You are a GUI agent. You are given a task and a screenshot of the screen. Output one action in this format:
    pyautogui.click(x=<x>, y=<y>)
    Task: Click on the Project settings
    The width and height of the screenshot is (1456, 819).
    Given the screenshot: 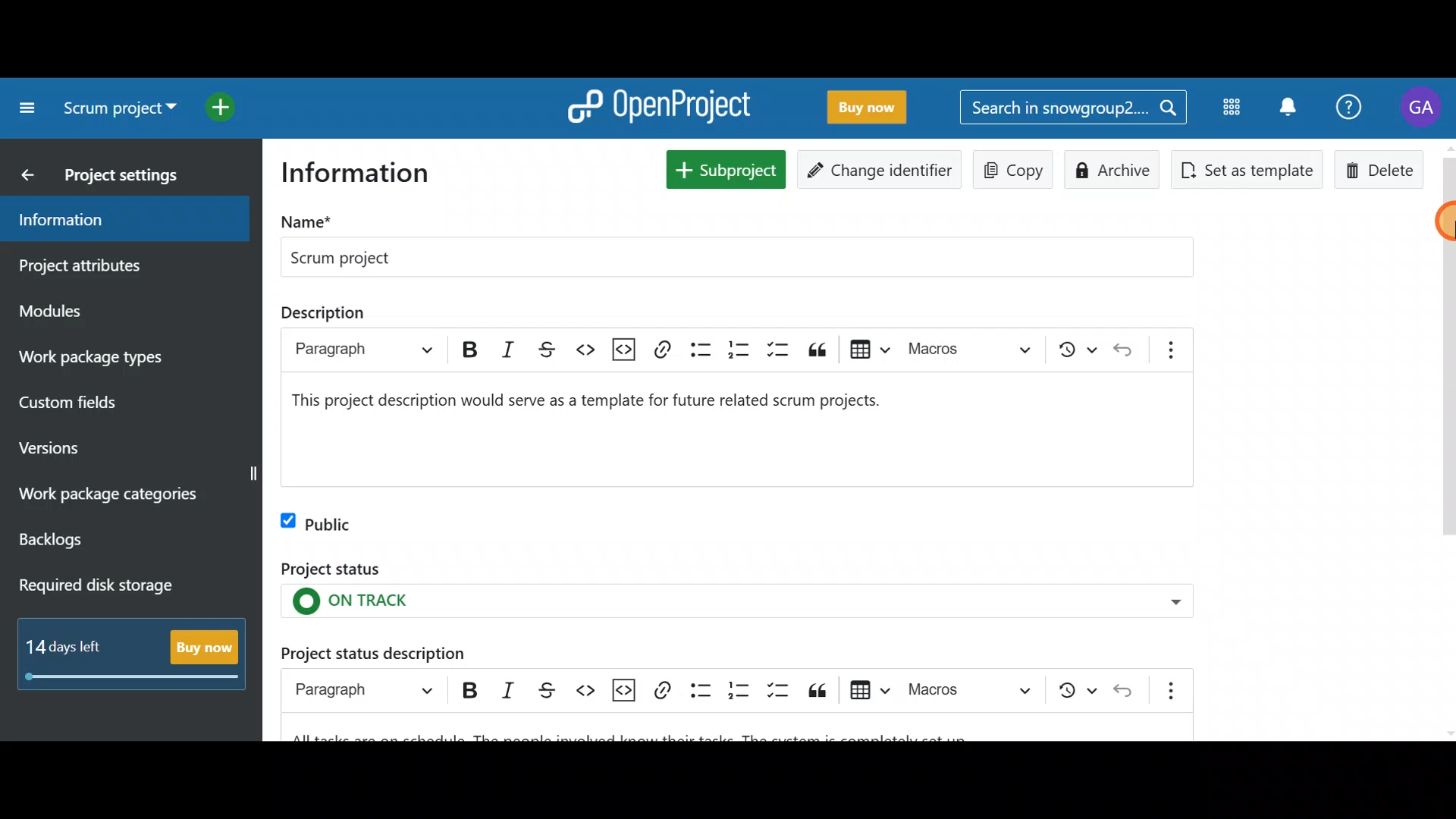 What is the action you would take?
    pyautogui.click(x=115, y=173)
    